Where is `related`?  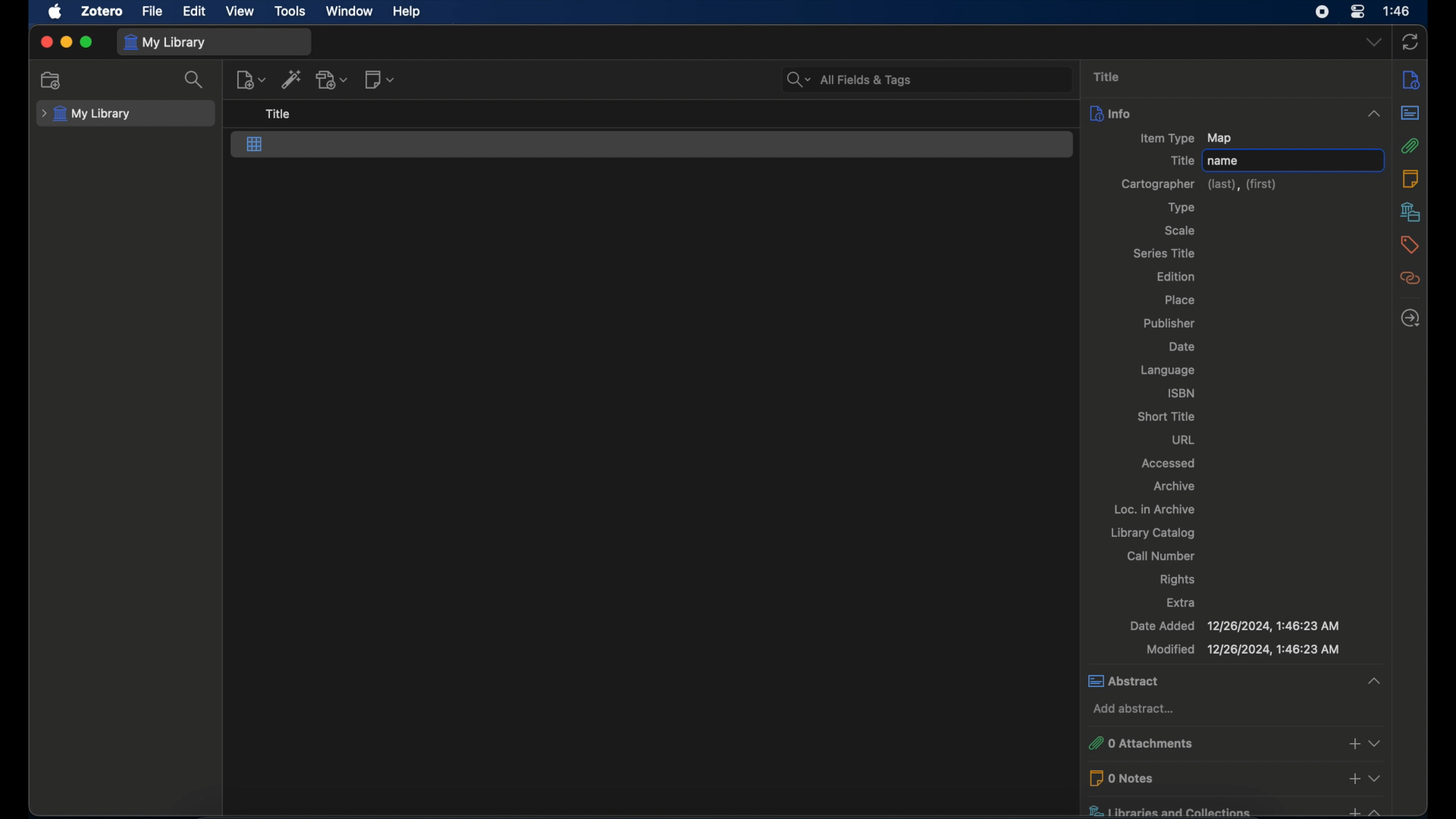 related is located at coordinates (1410, 278).